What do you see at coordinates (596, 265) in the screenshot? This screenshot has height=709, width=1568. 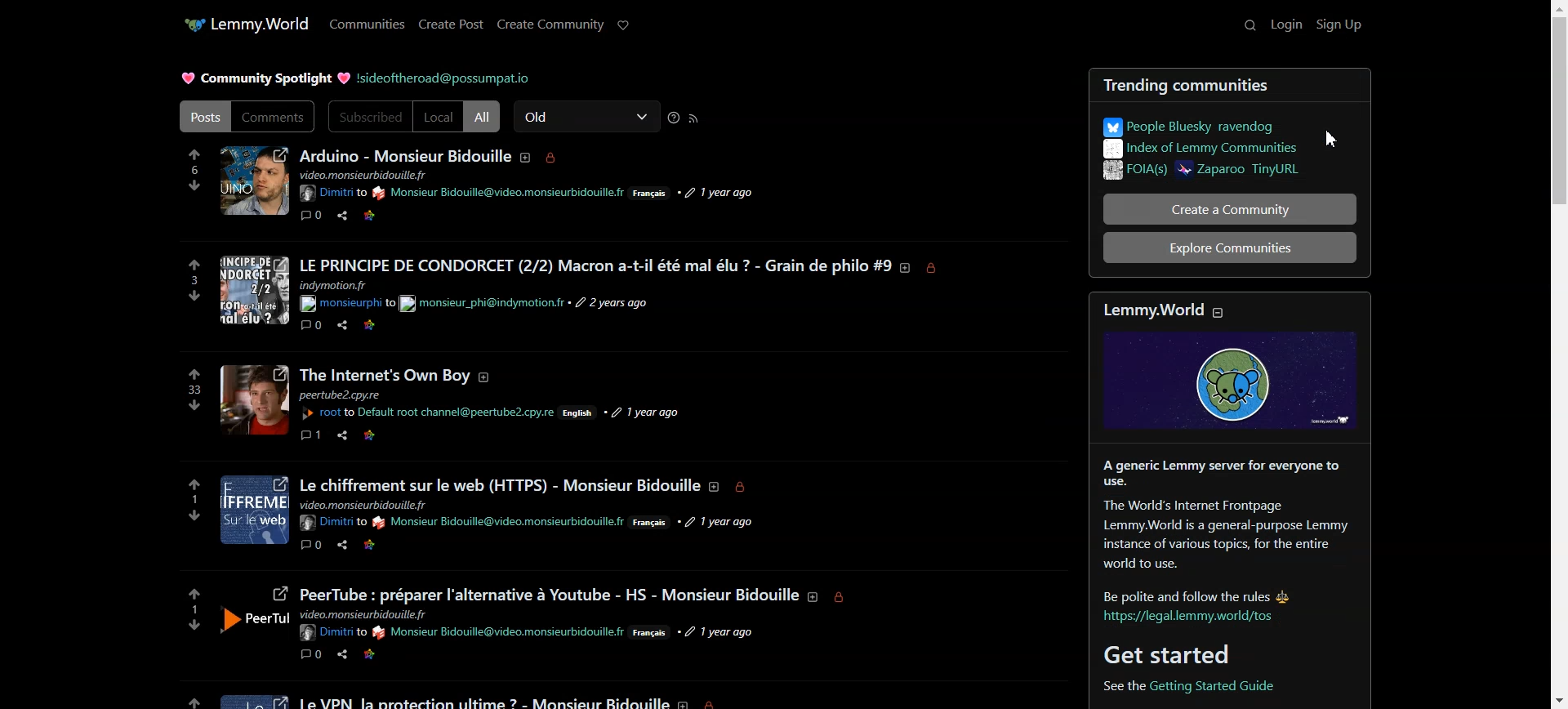 I see `Posts` at bounding box center [596, 265].